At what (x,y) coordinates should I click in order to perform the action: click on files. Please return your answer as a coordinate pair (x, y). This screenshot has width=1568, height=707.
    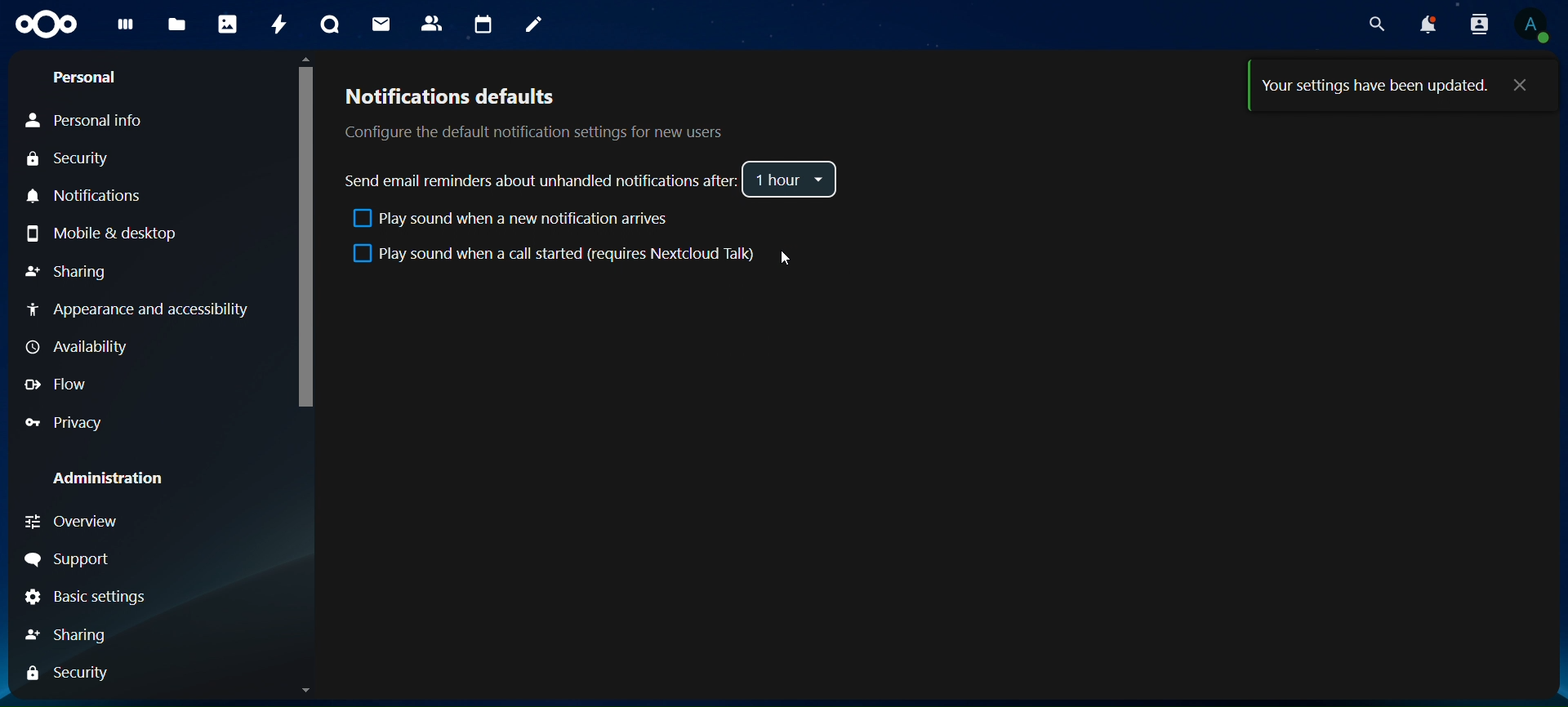
    Looking at the image, I should click on (176, 25).